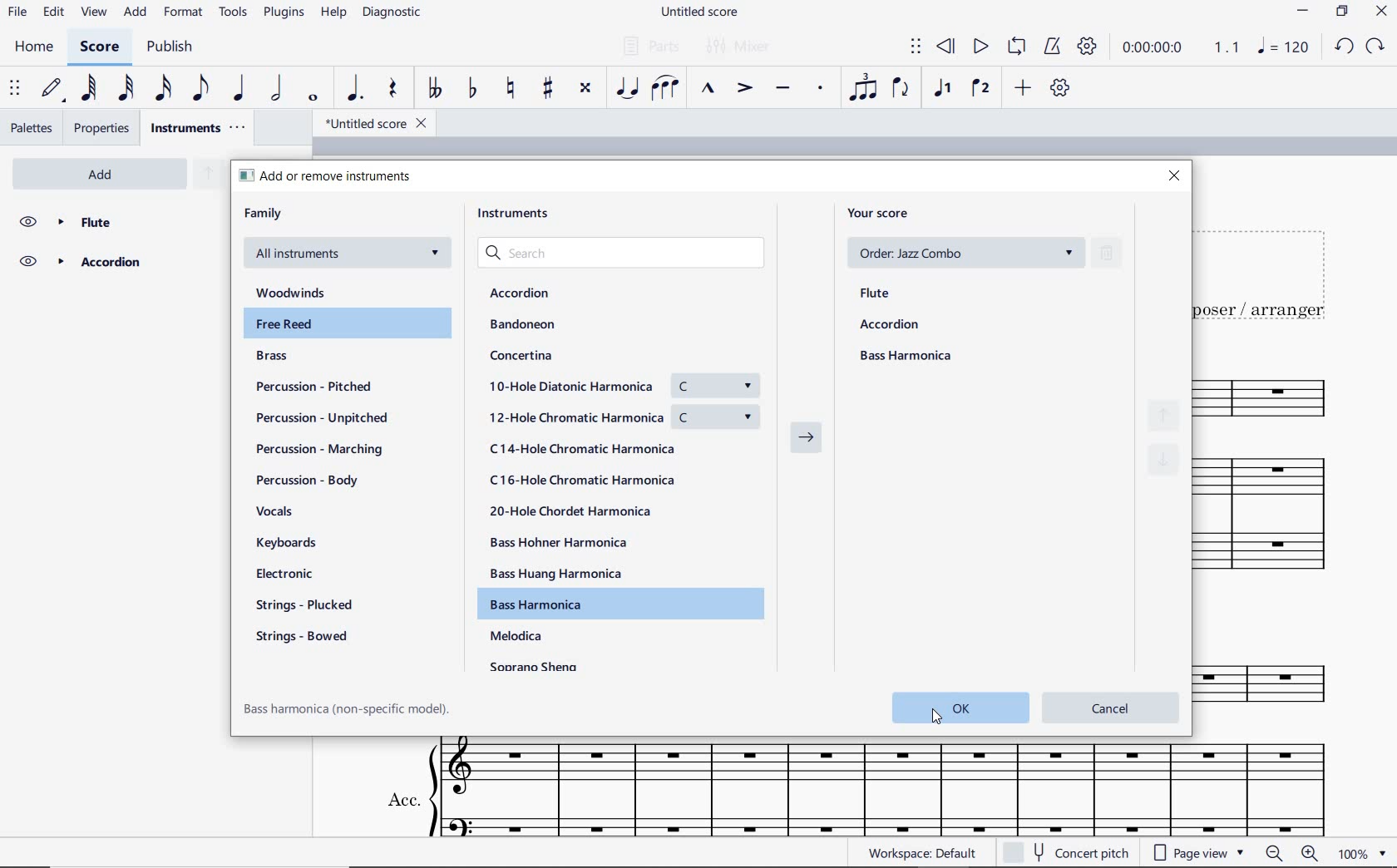 This screenshot has height=868, width=1397. What do you see at coordinates (296, 291) in the screenshot?
I see `woodwinds` at bounding box center [296, 291].